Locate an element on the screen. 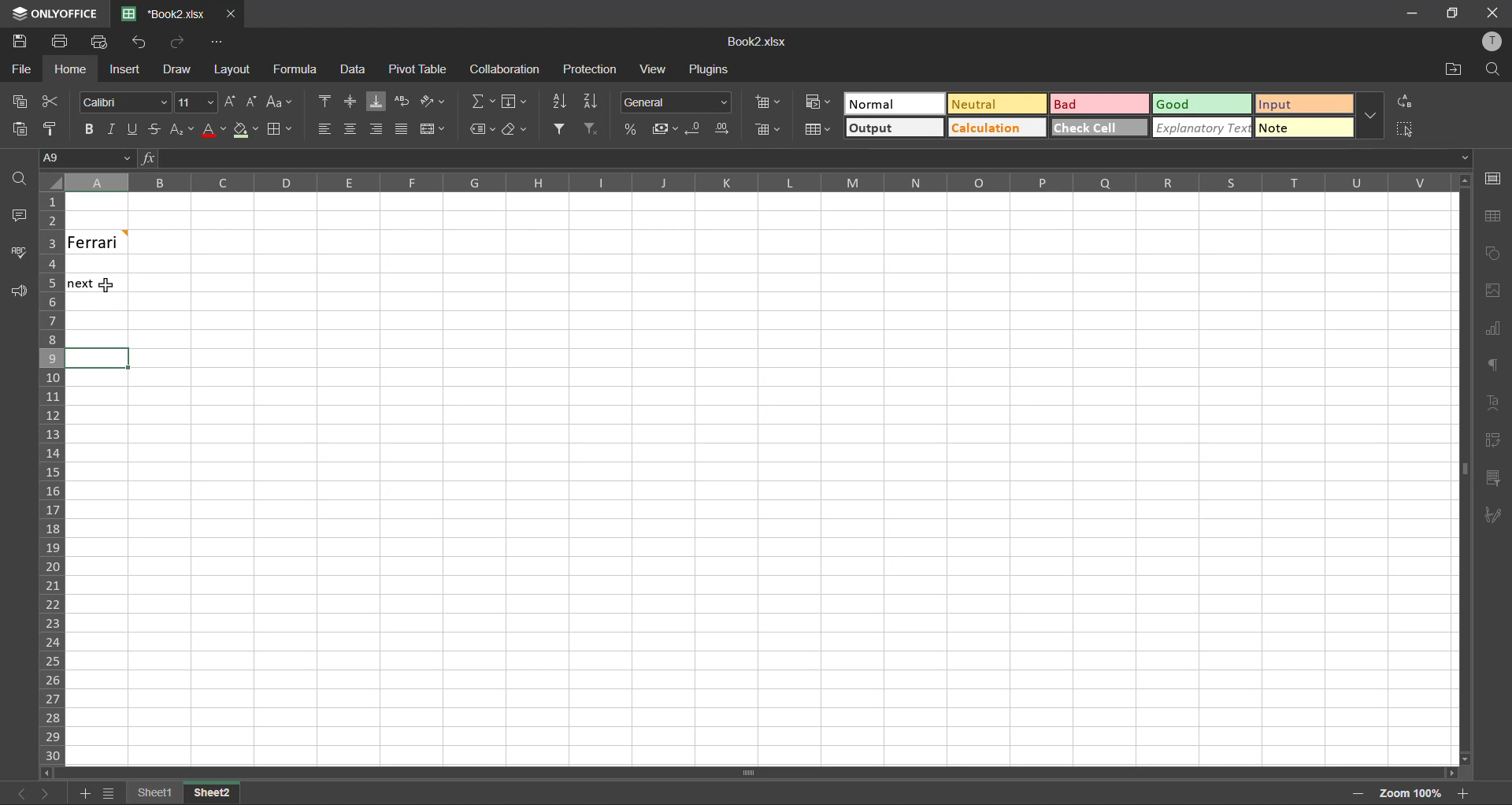 This screenshot has width=1512, height=805. output is located at coordinates (893, 129).